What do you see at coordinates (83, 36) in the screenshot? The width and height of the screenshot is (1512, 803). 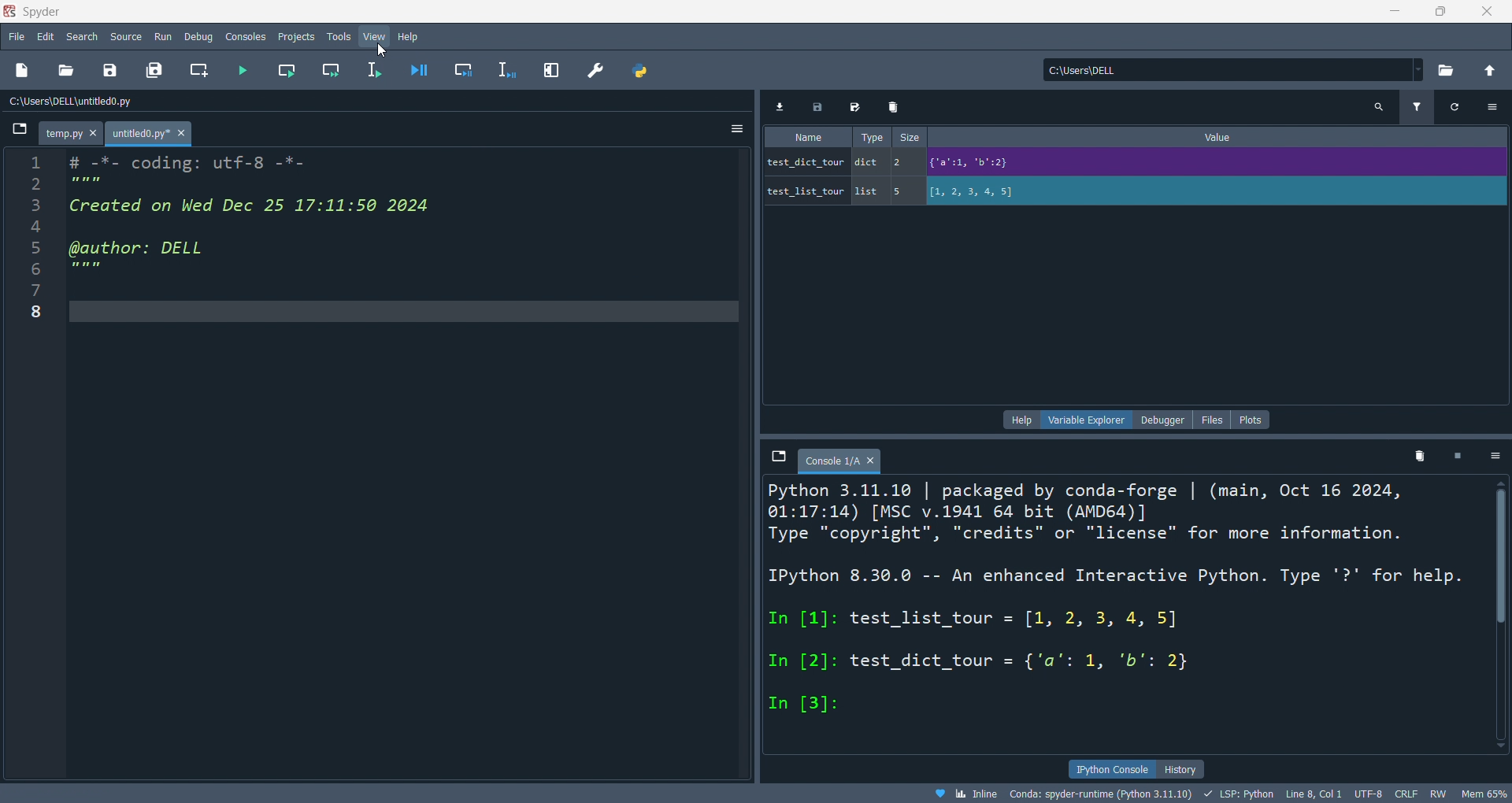 I see `search` at bounding box center [83, 36].